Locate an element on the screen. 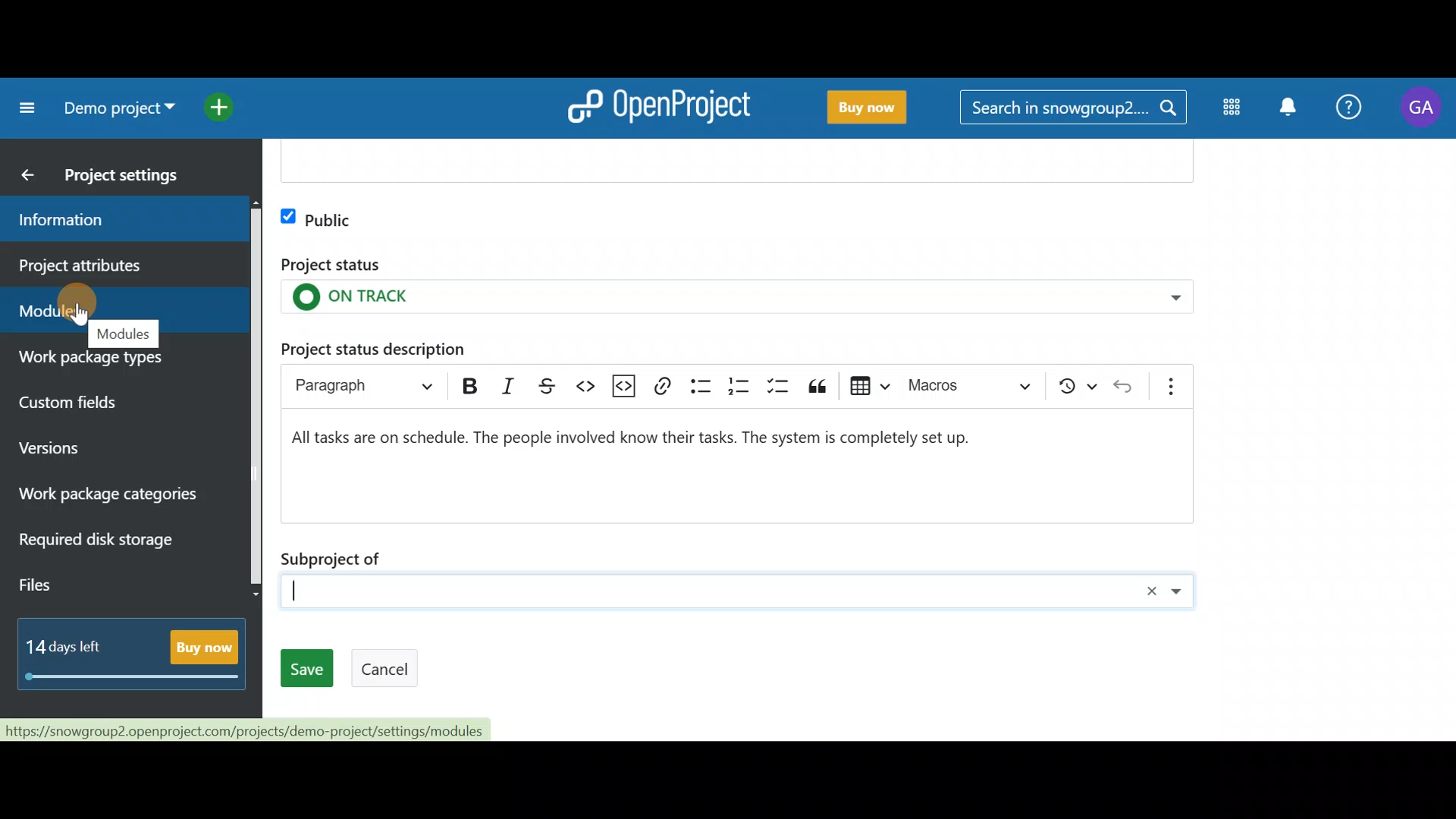 The width and height of the screenshot is (1456, 819). Insert table is located at coordinates (865, 384).